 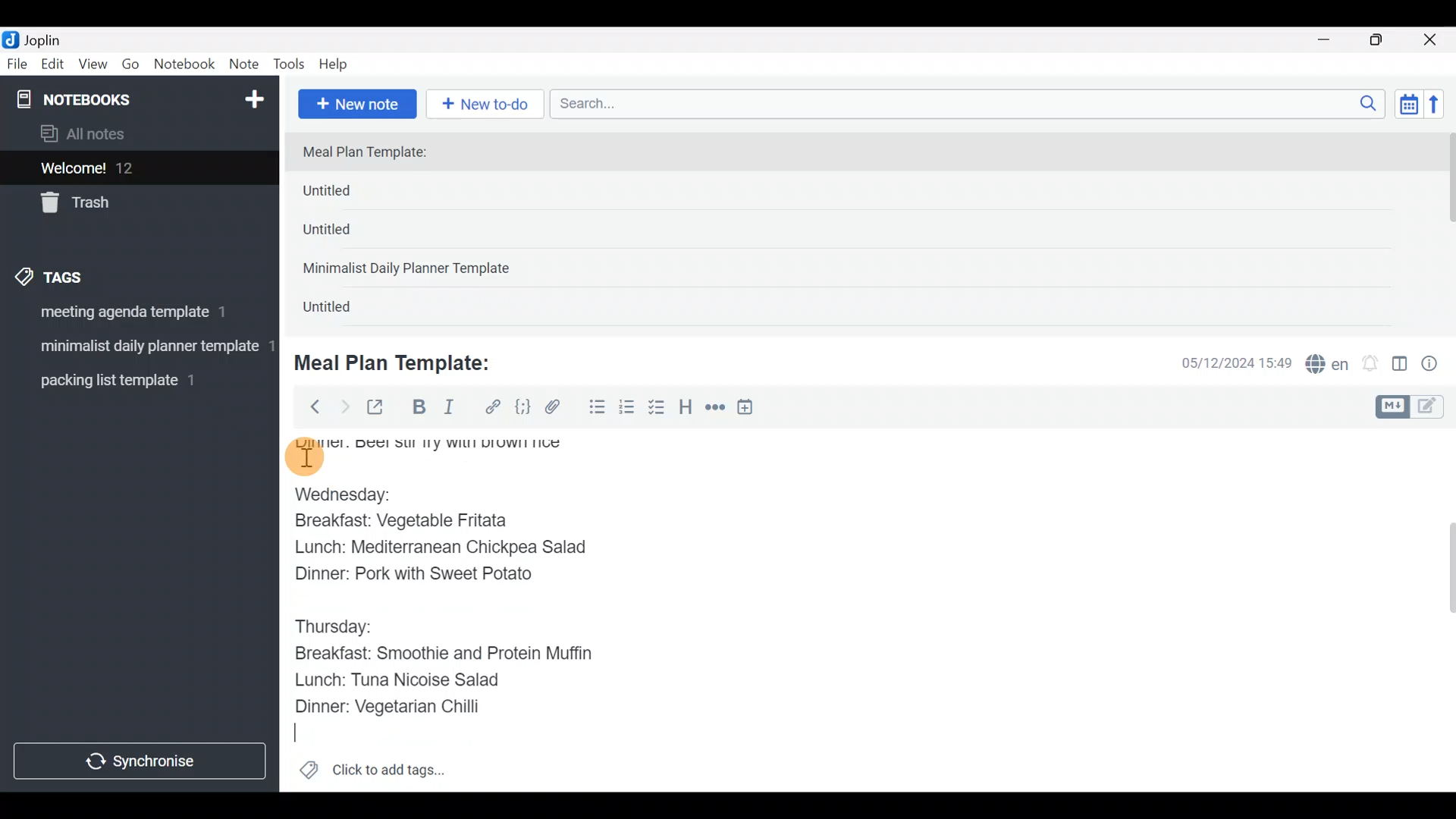 I want to click on Lunch: Mediterranean Chickpea Salad, so click(x=447, y=545).